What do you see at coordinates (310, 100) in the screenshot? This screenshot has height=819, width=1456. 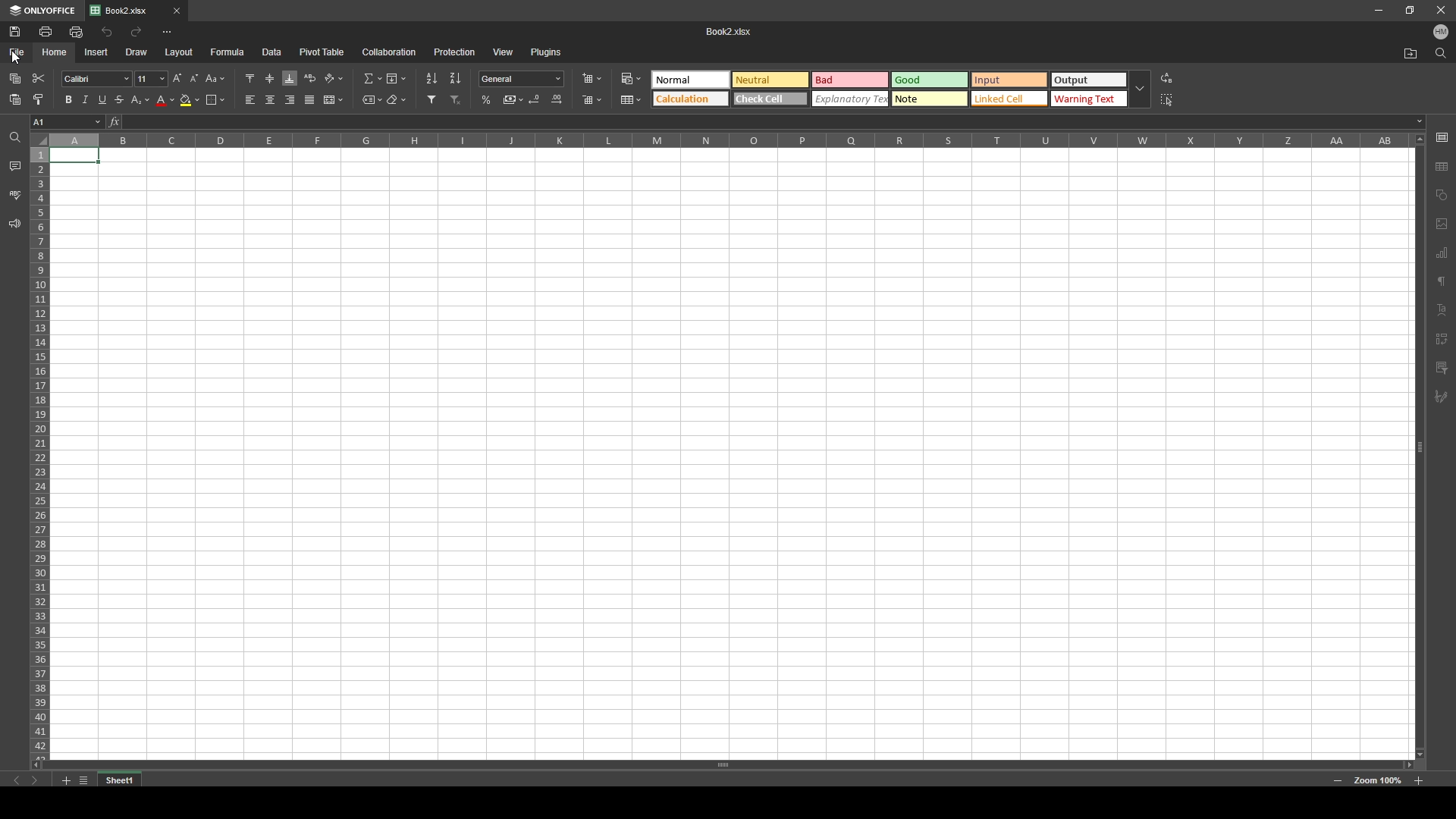 I see `justify` at bounding box center [310, 100].